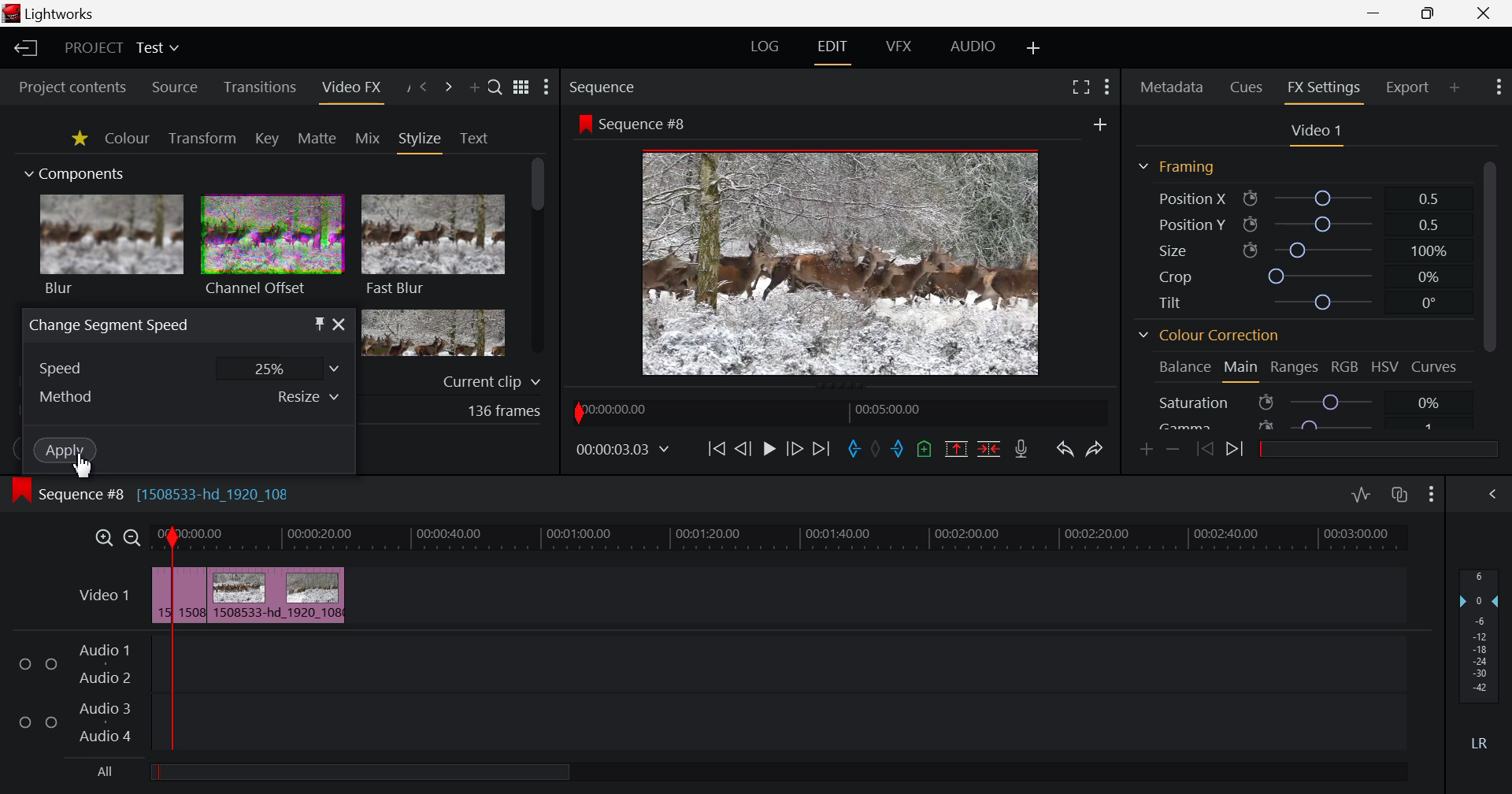 This screenshot has width=1512, height=794. What do you see at coordinates (1490, 291) in the screenshot?
I see `Scroll Bar` at bounding box center [1490, 291].